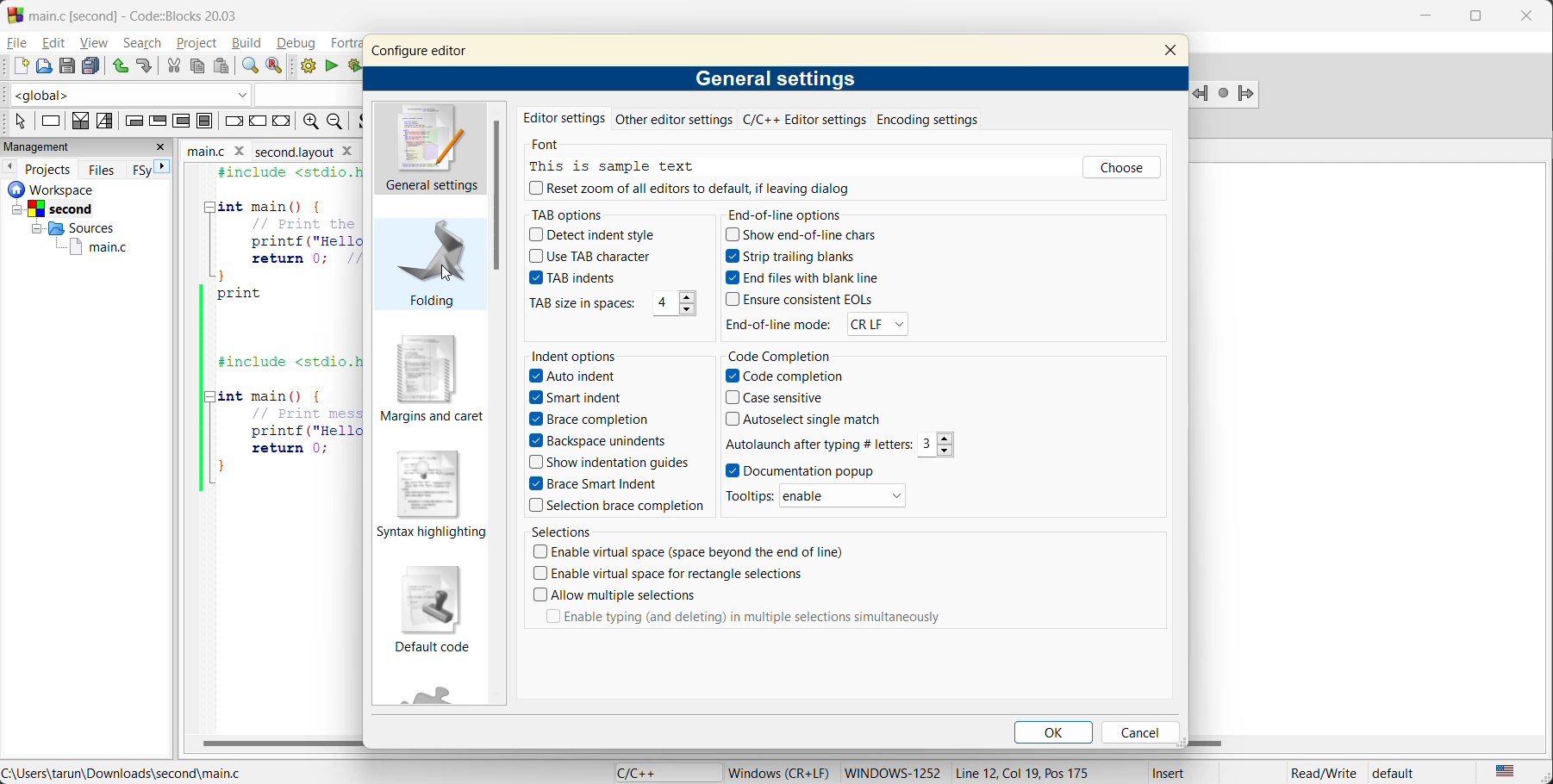 Image resolution: width=1553 pixels, height=784 pixels. Describe the element at coordinates (775, 396) in the screenshot. I see `Case sensitive` at that location.